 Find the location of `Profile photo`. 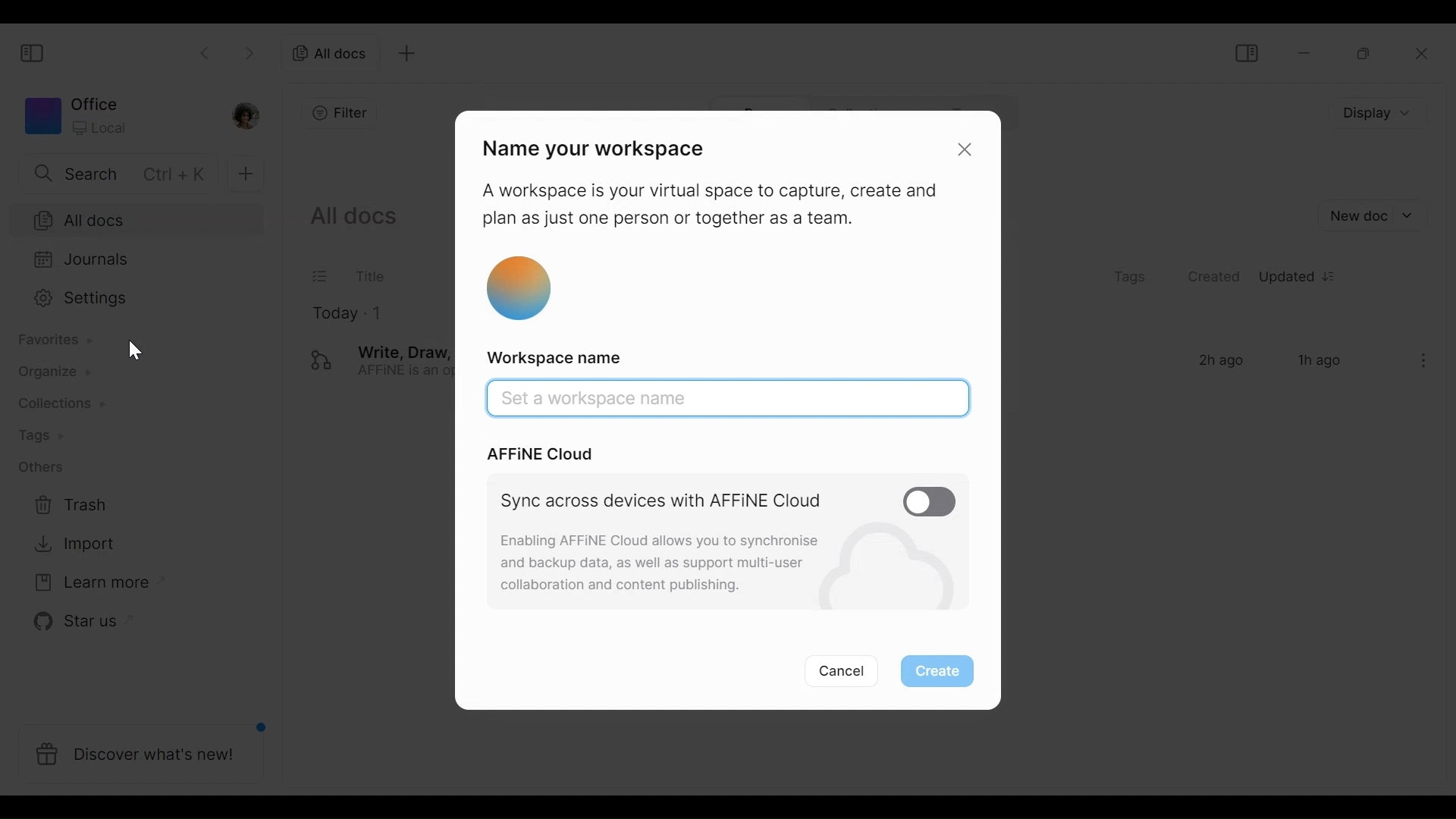

Profile photo is located at coordinates (251, 117).